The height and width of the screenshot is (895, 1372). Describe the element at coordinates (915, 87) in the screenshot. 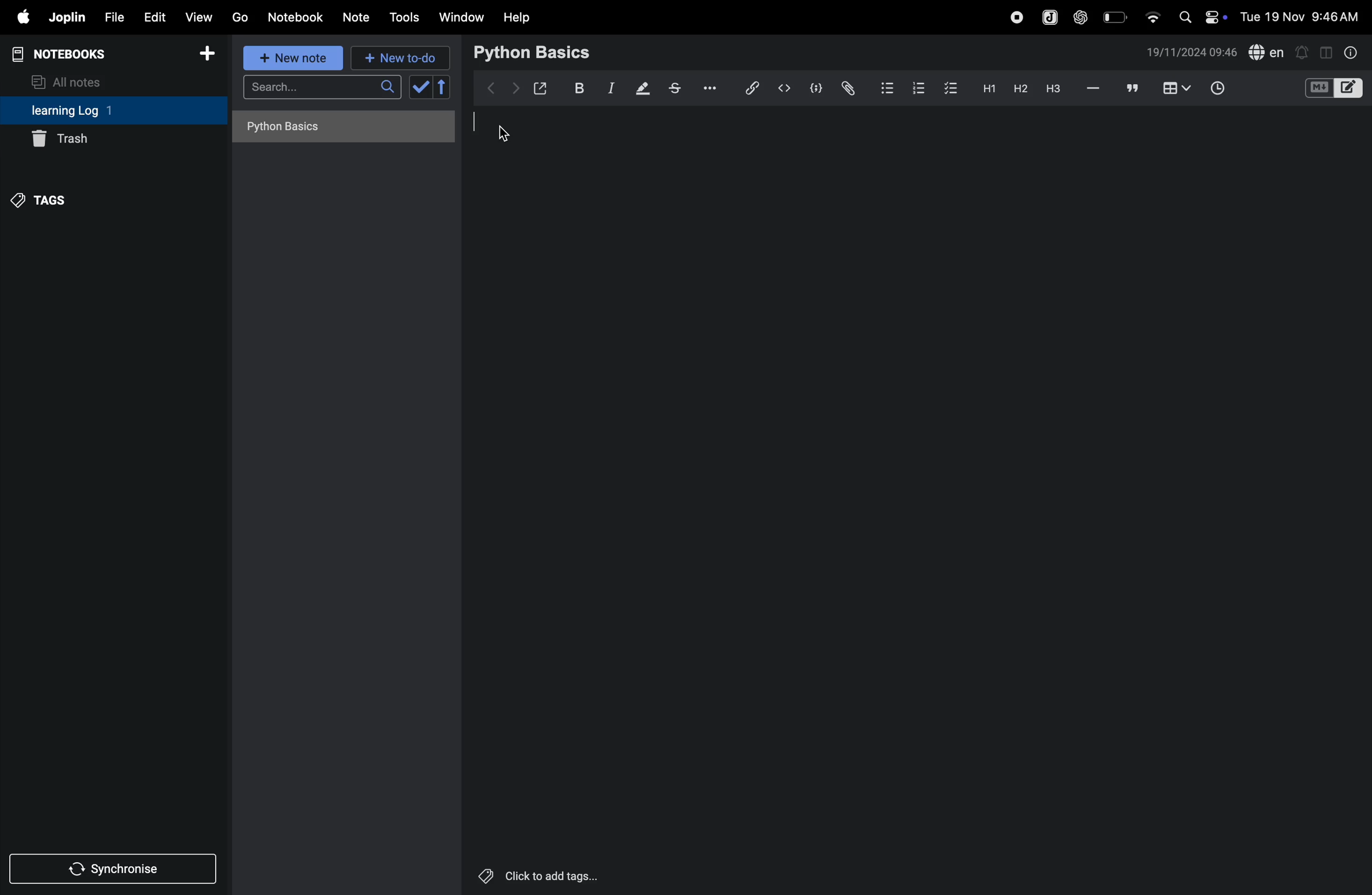

I see `numbered list` at that location.